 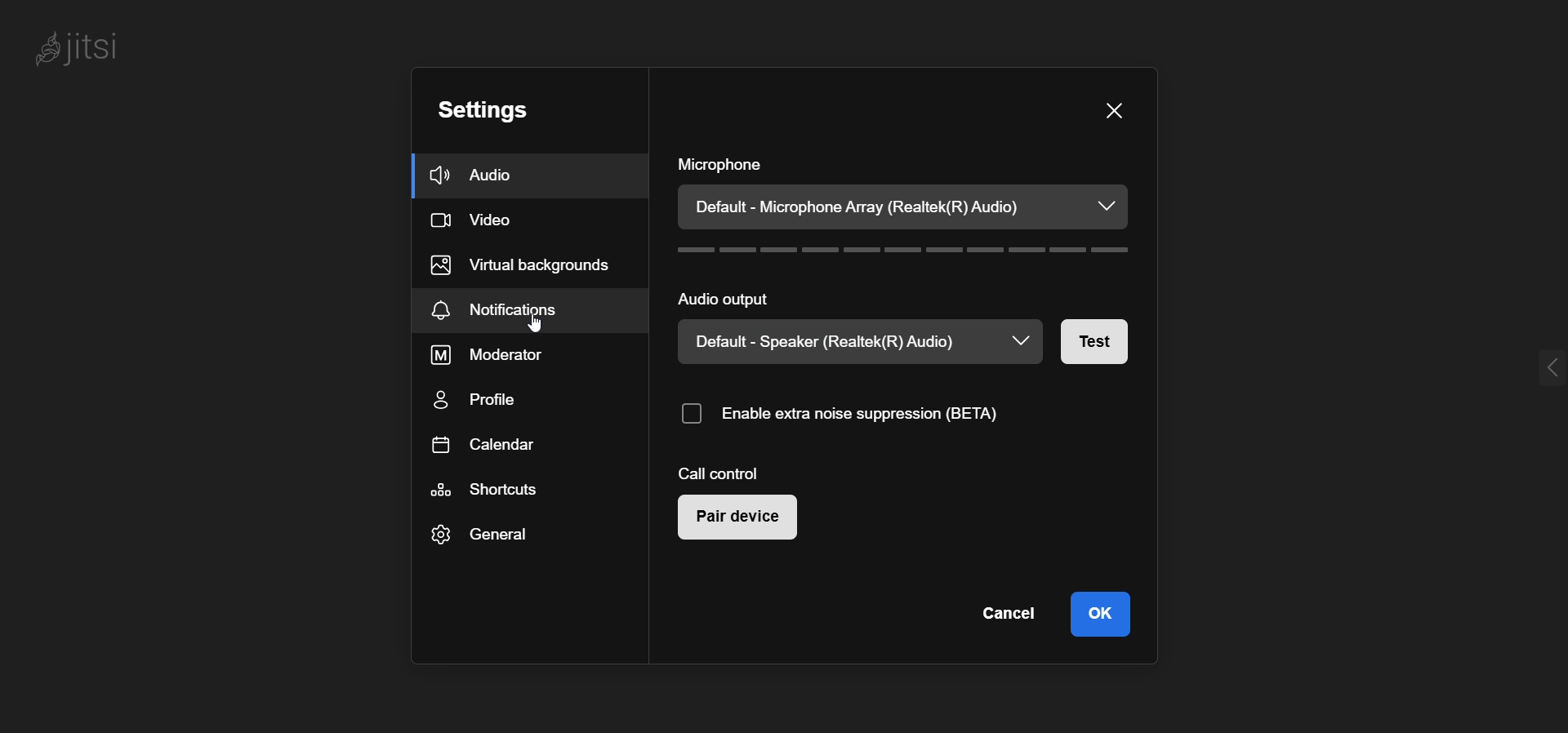 I want to click on enable noise suppression (BETA), so click(x=849, y=408).